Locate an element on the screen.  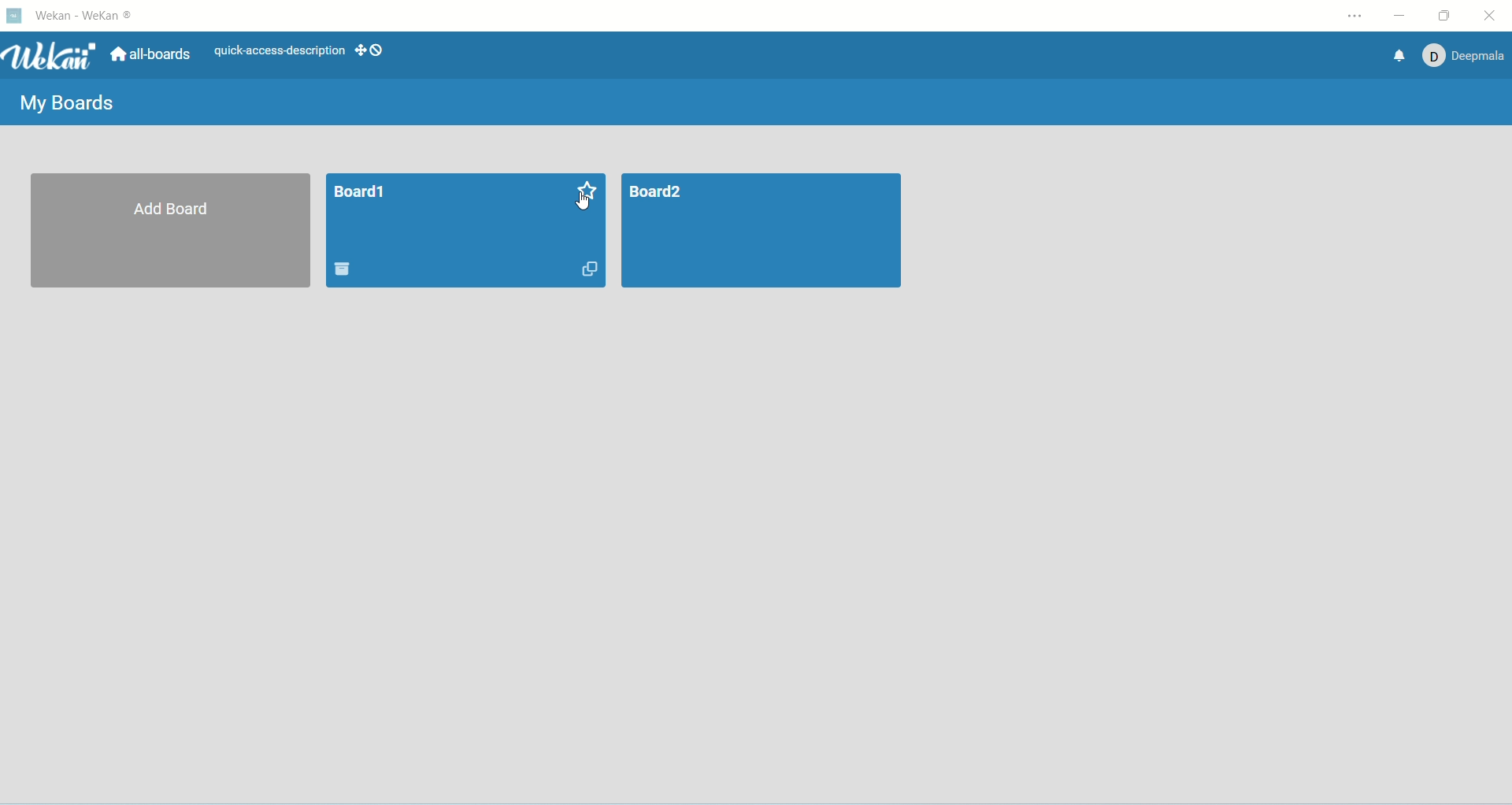
notification is located at coordinates (1396, 57).